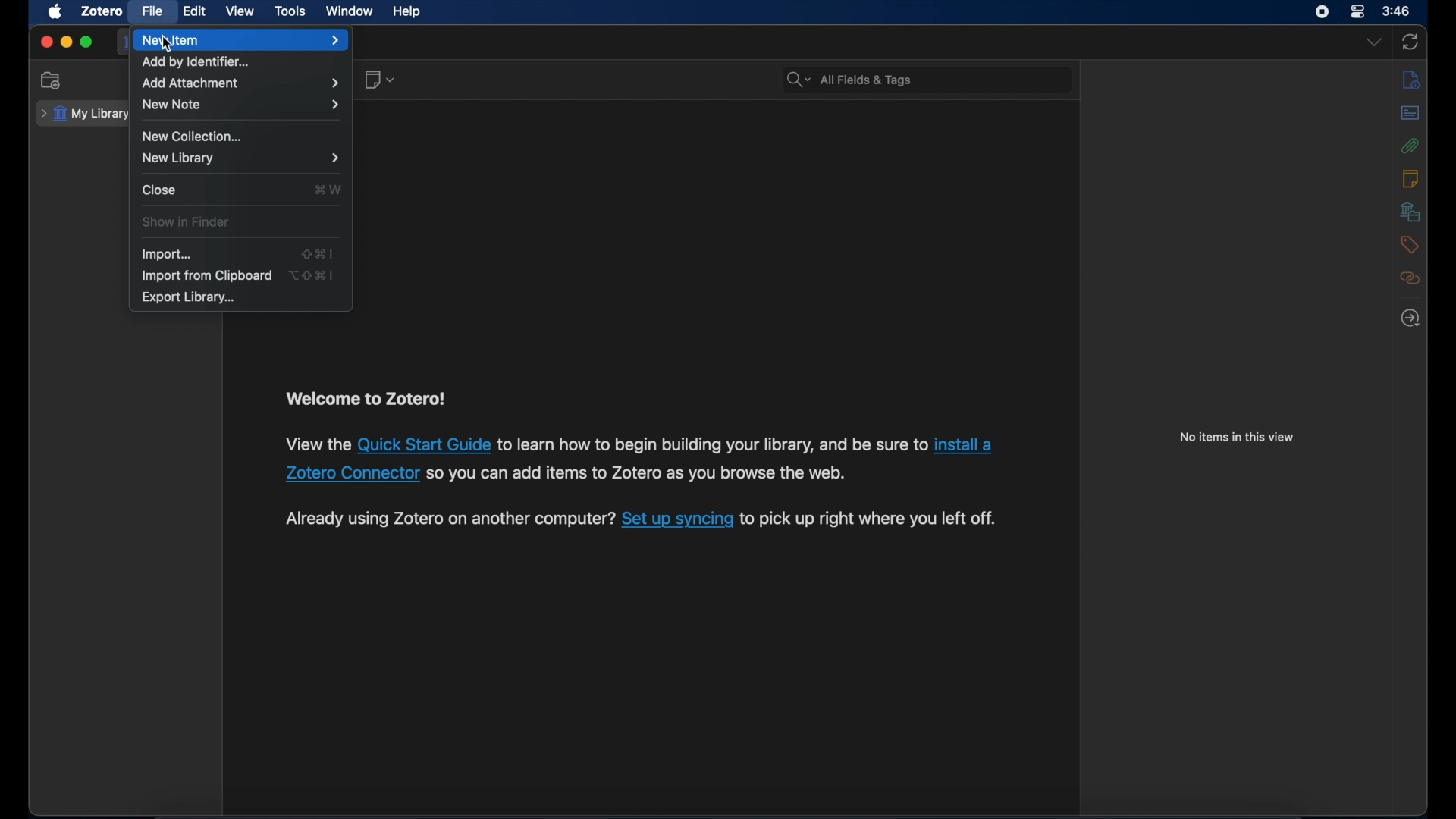 The width and height of the screenshot is (1456, 819). I want to click on new collection, so click(52, 80).